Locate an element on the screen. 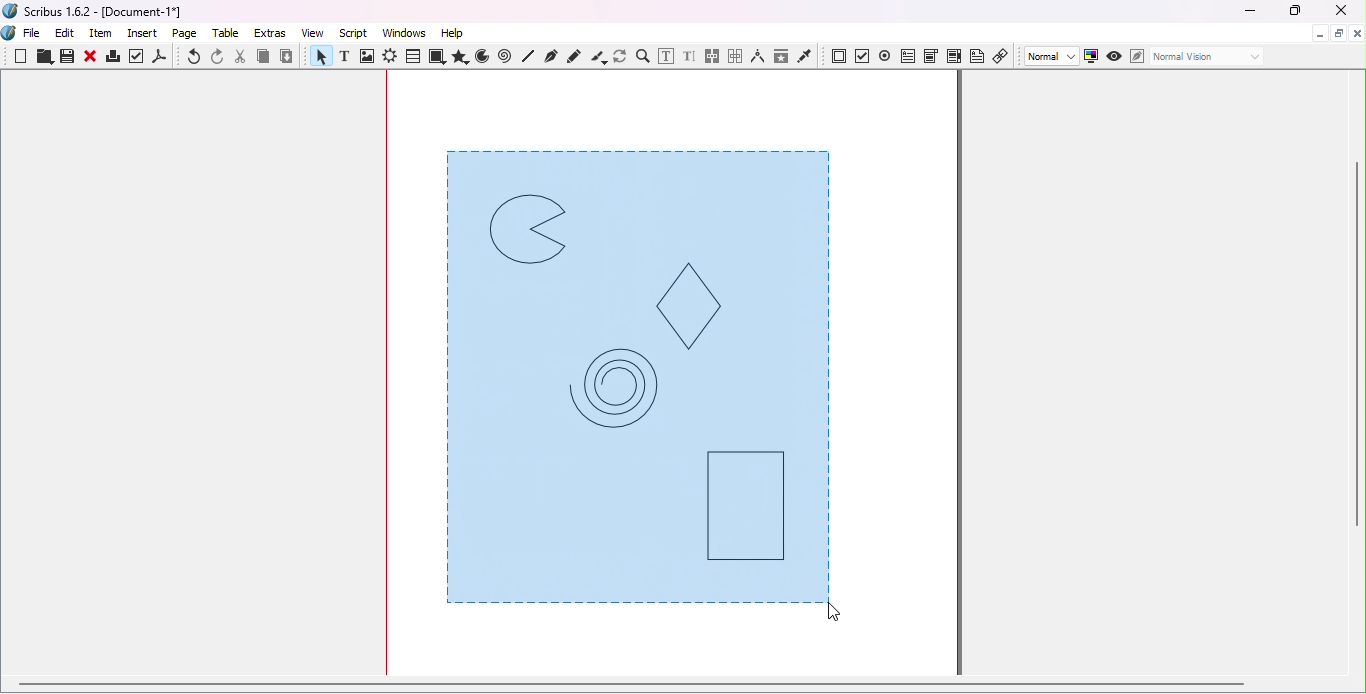  PDF text field is located at coordinates (907, 54).